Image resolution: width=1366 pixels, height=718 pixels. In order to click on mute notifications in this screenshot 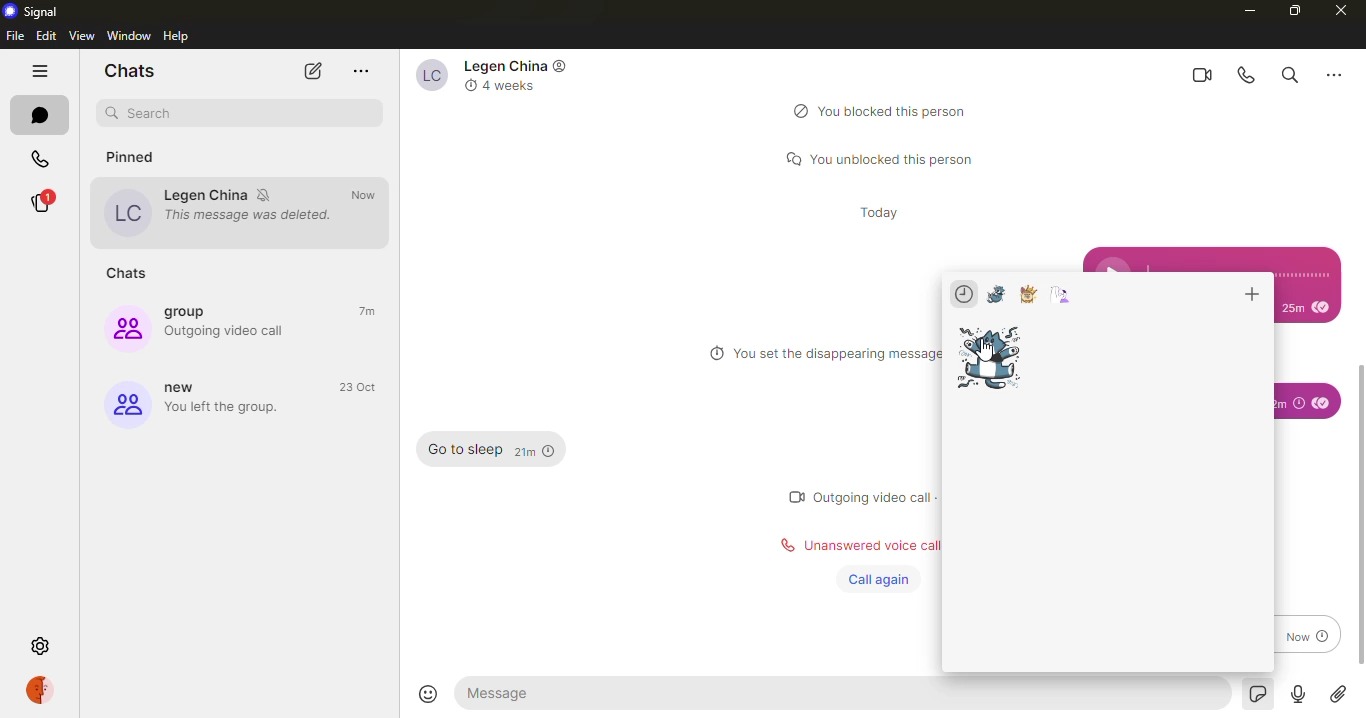, I will do `click(267, 195)`.